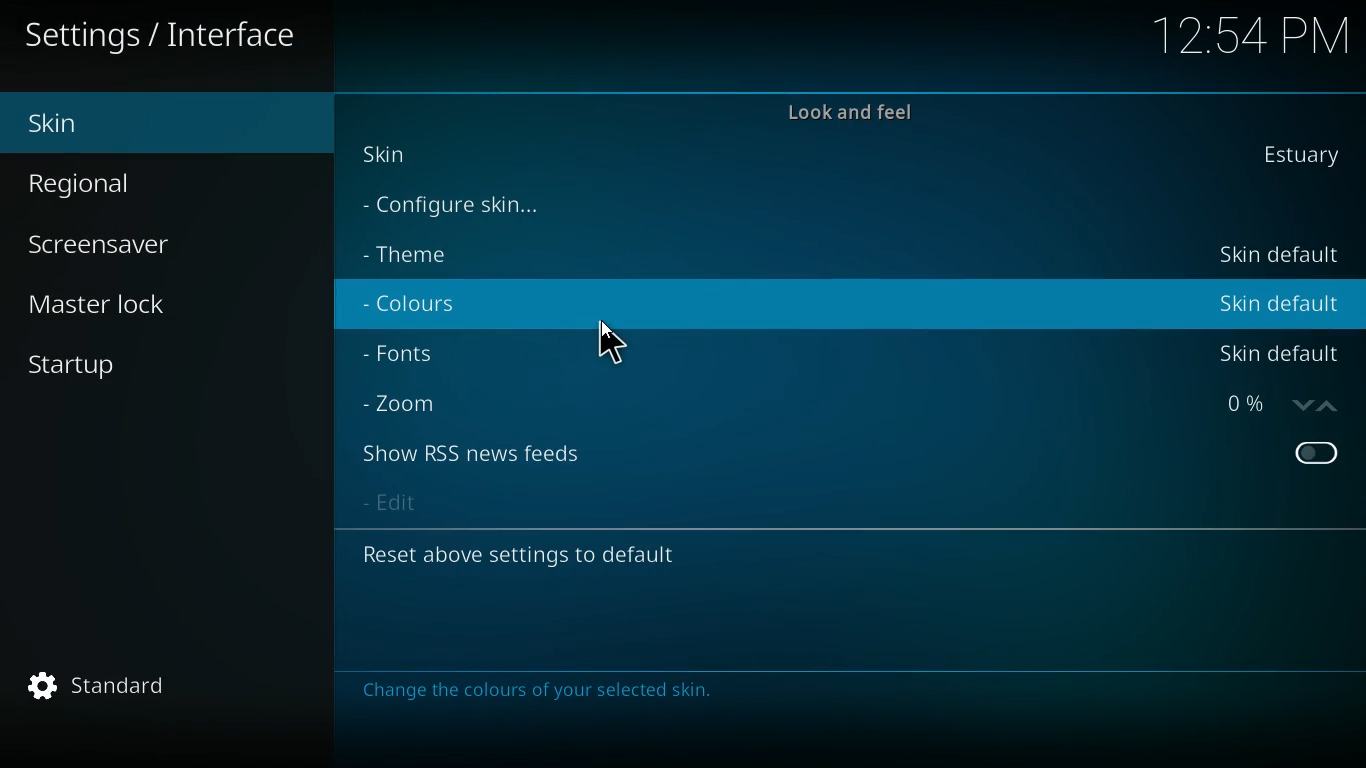 The width and height of the screenshot is (1366, 768). I want to click on colours, so click(428, 304).